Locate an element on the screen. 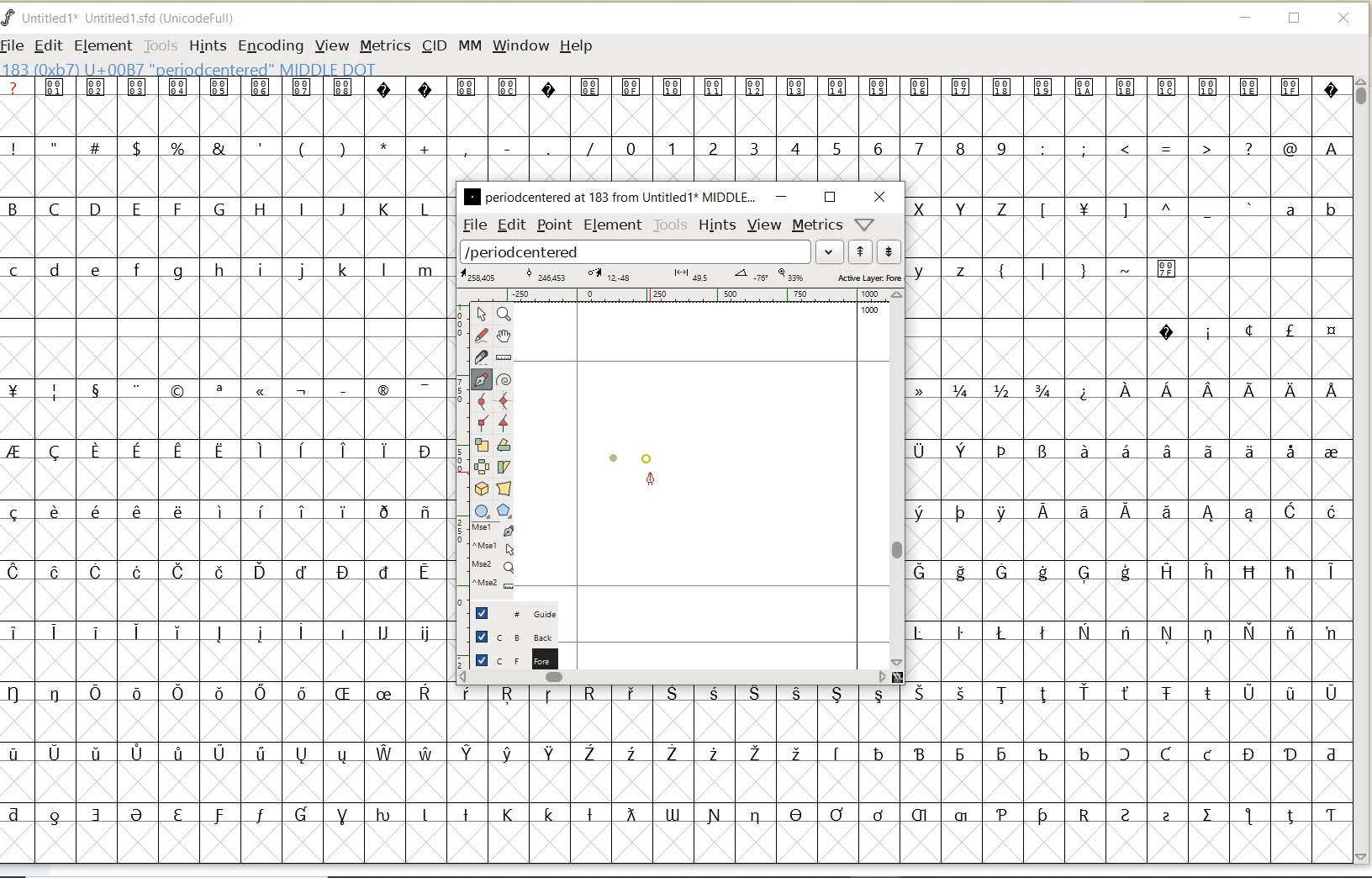 The height and width of the screenshot is (878, 1372). add a curve point is located at coordinates (483, 399).